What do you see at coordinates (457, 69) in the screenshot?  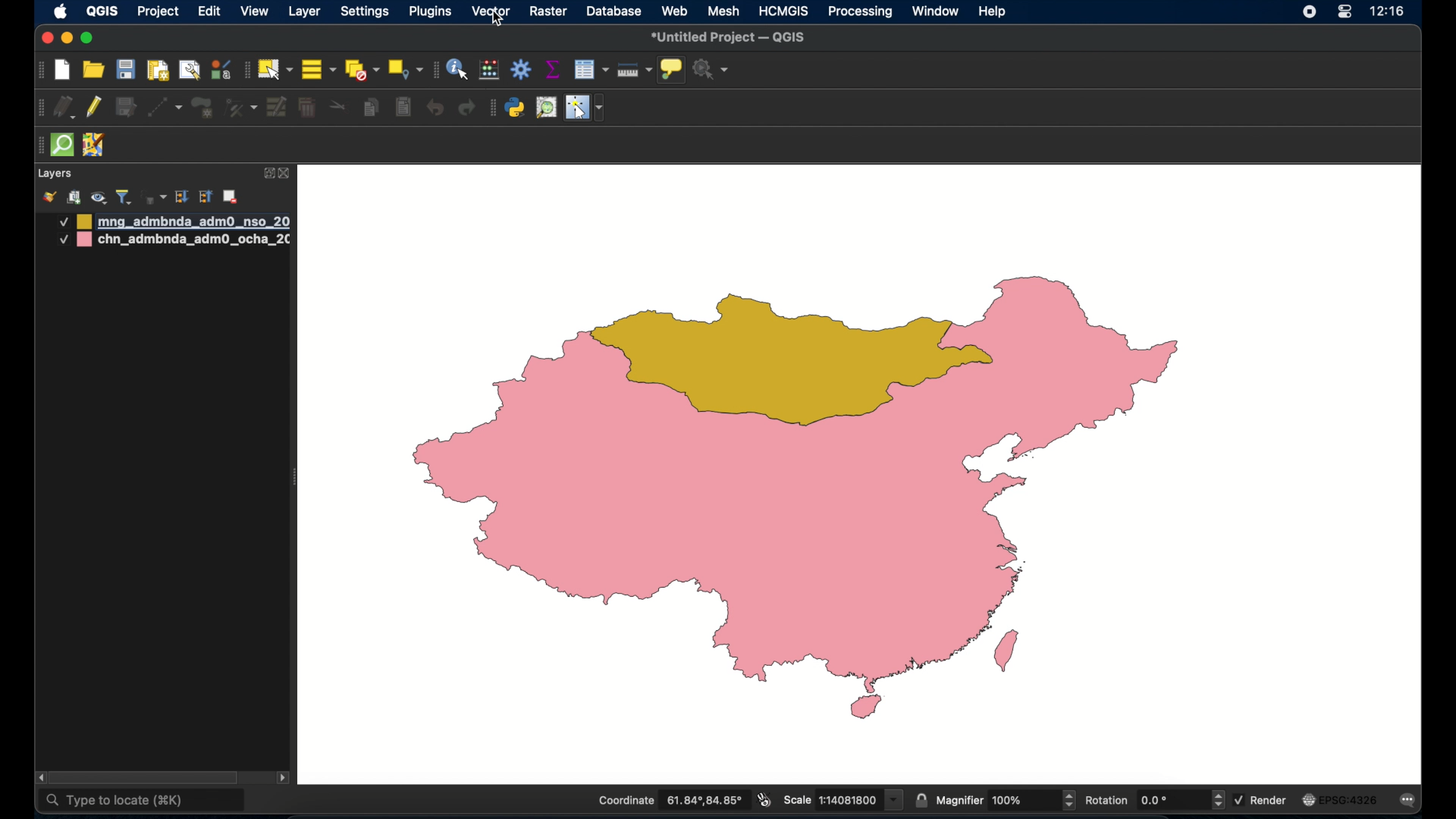 I see `identify features` at bounding box center [457, 69].